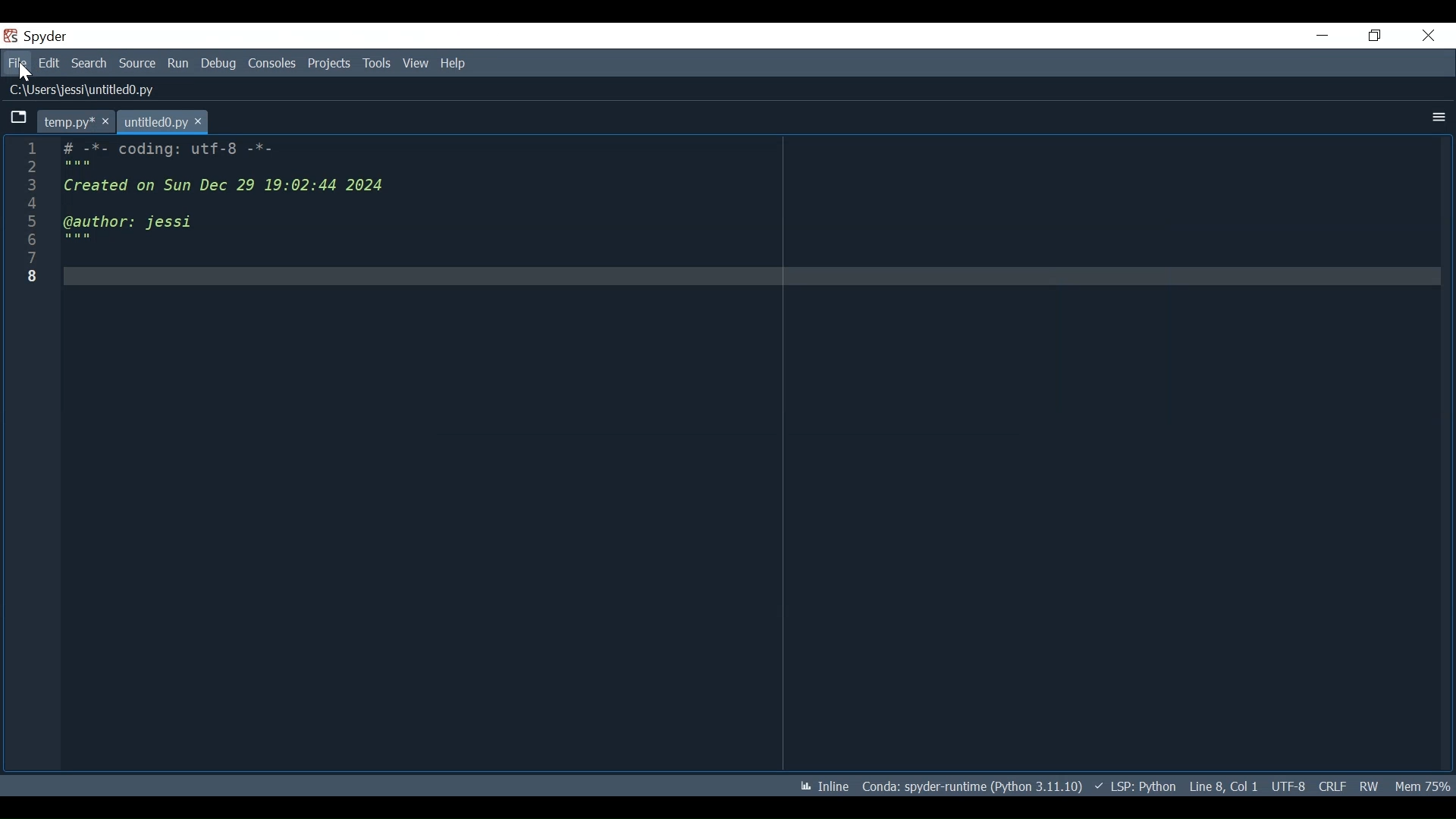  Describe the element at coordinates (272, 63) in the screenshot. I see `Consoles` at that location.